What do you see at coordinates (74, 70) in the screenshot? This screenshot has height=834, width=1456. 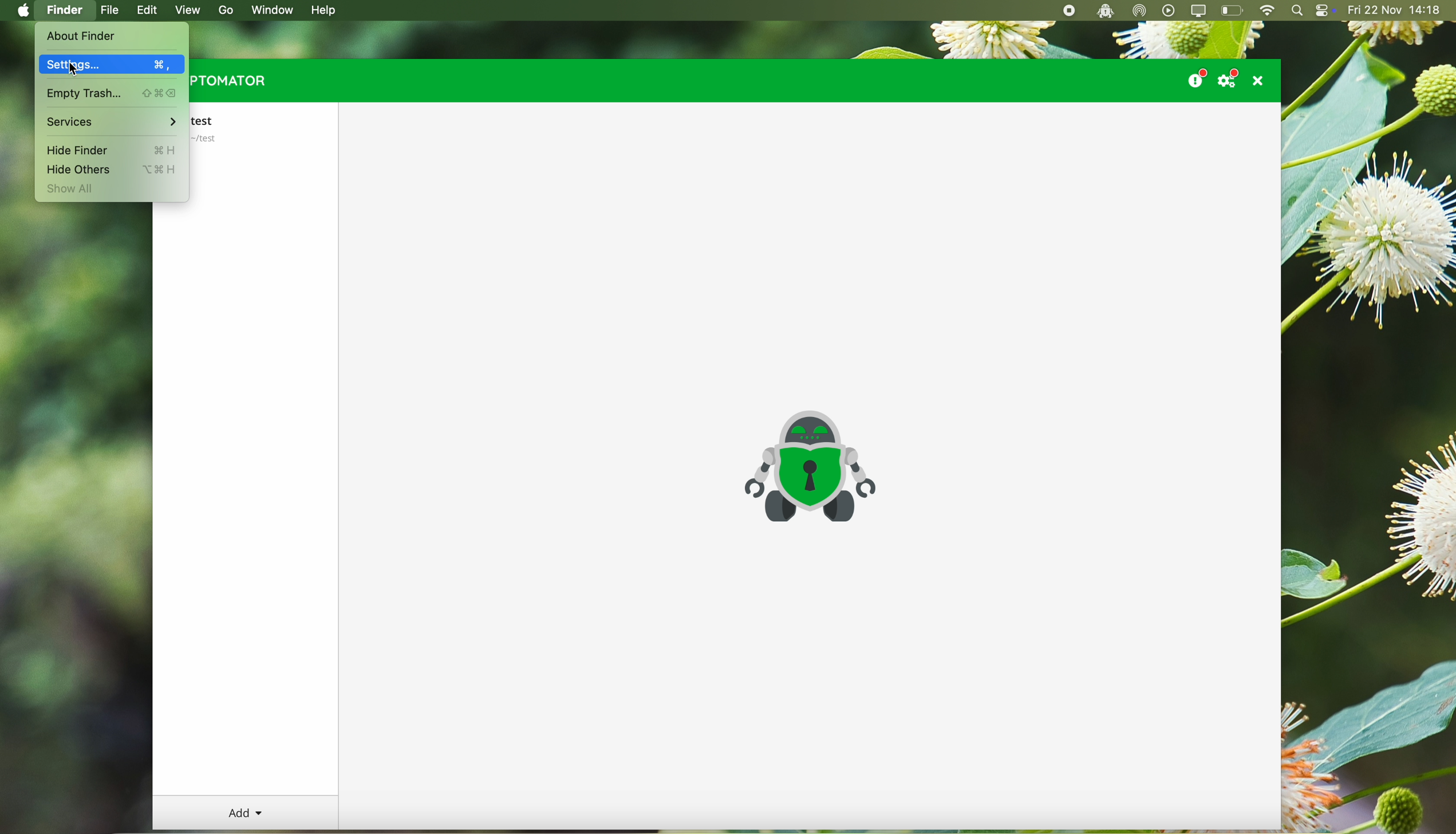 I see `Cursor` at bounding box center [74, 70].